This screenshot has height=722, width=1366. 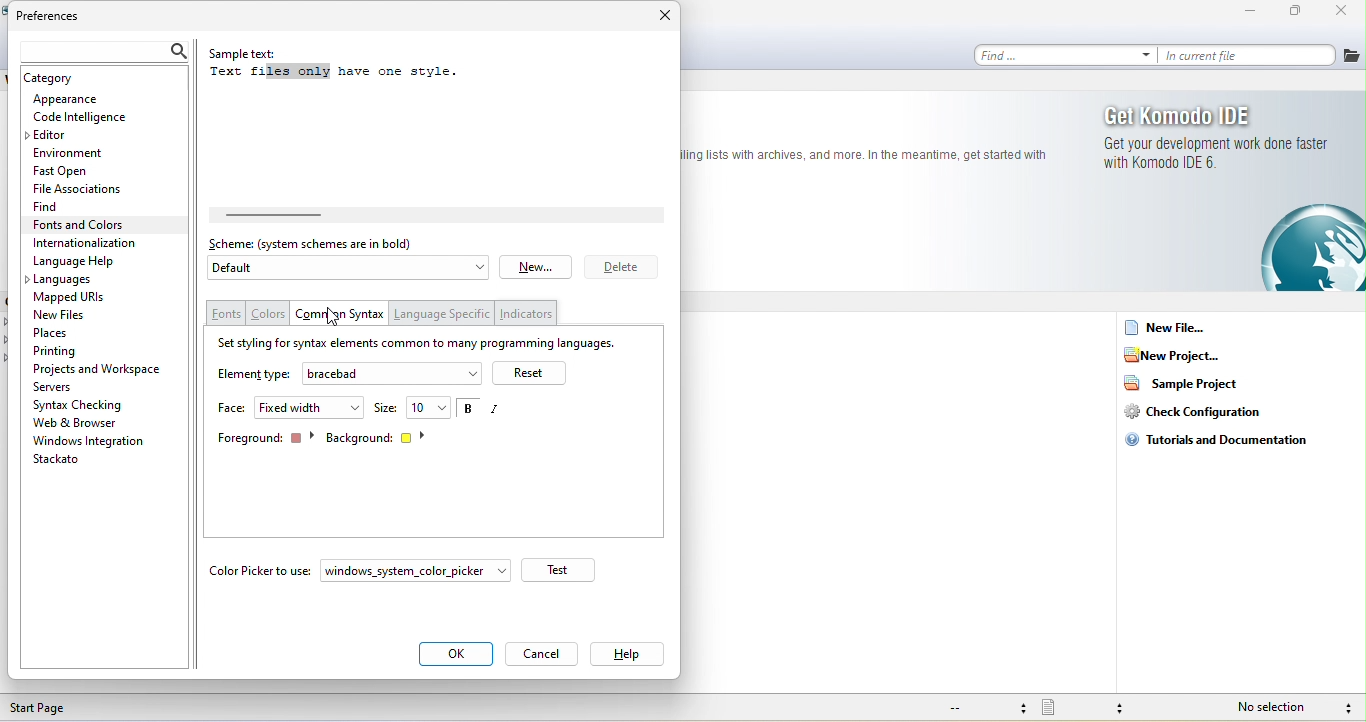 What do you see at coordinates (82, 405) in the screenshot?
I see `syntax checking` at bounding box center [82, 405].